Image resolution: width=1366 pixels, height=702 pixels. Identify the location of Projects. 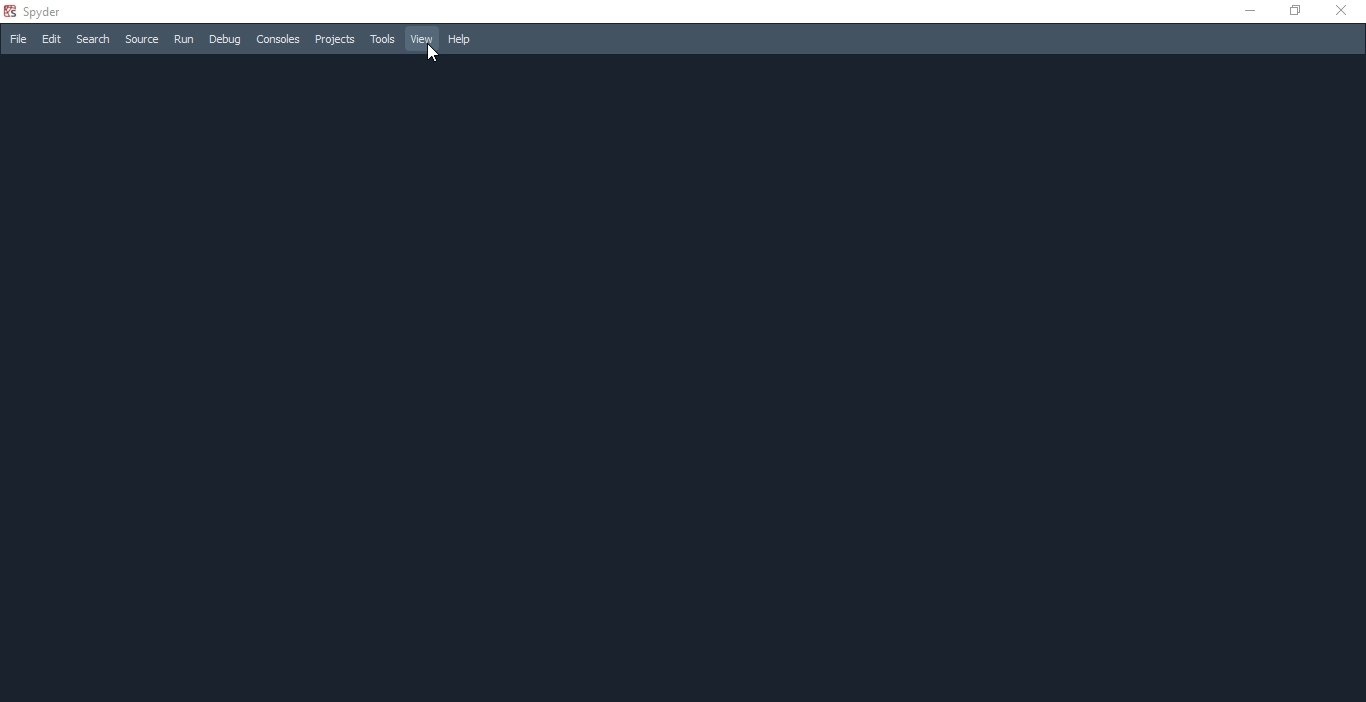
(335, 38).